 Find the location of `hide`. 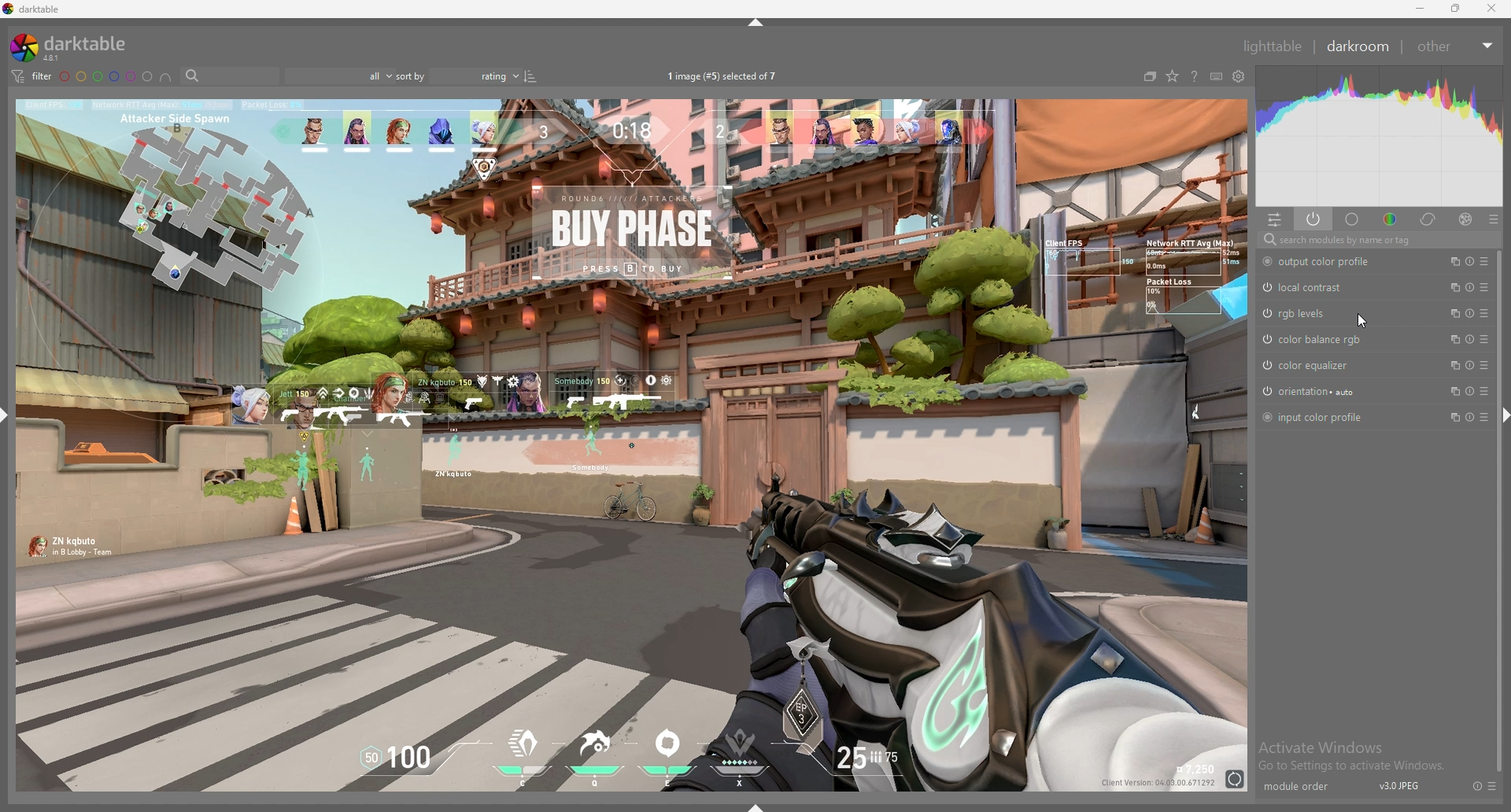

hide is located at coordinates (756, 22).